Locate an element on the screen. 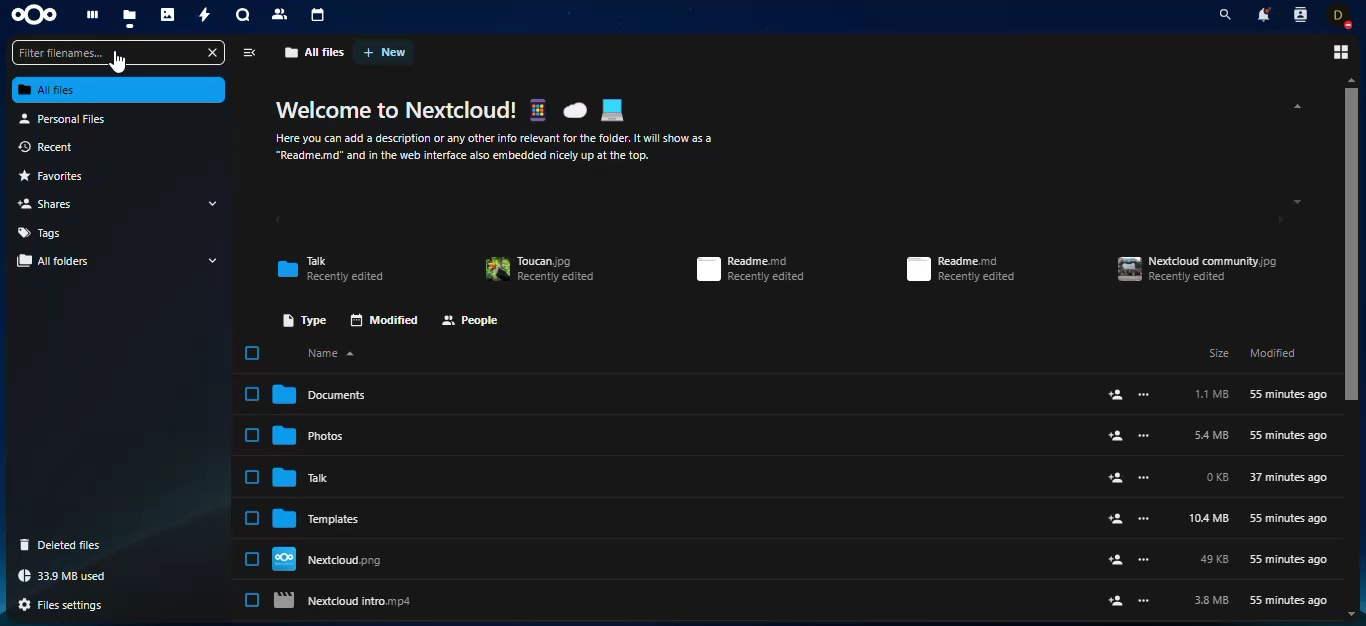 The height and width of the screenshot is (626, 1366). Click to select is located at coordinates (252, 393).